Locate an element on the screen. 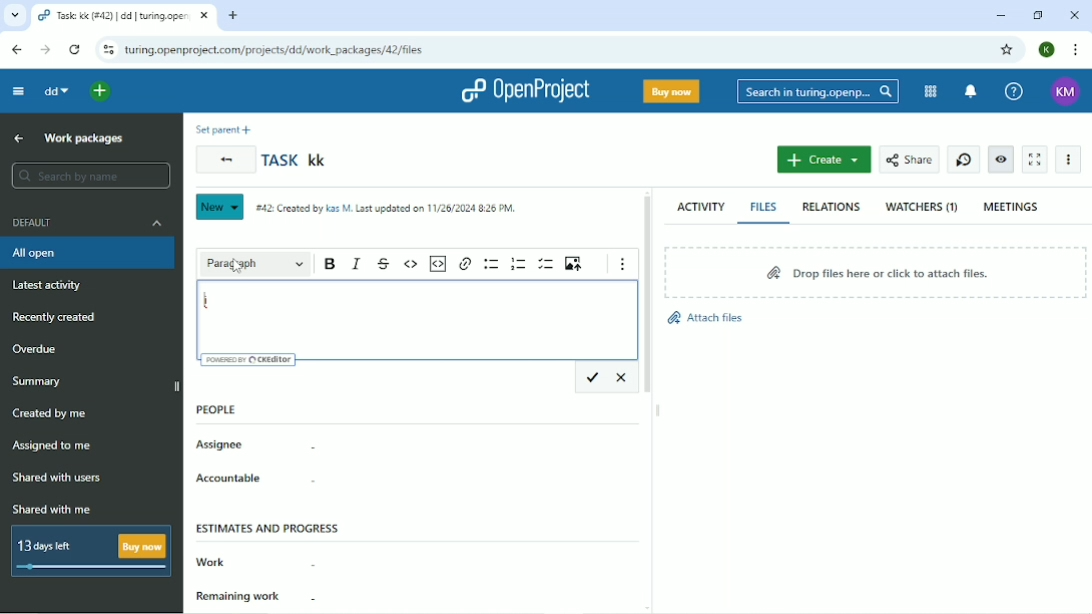 Image resolution: width=1092 pixels, height=614 pixels. New is located at coordinates (219, 207).